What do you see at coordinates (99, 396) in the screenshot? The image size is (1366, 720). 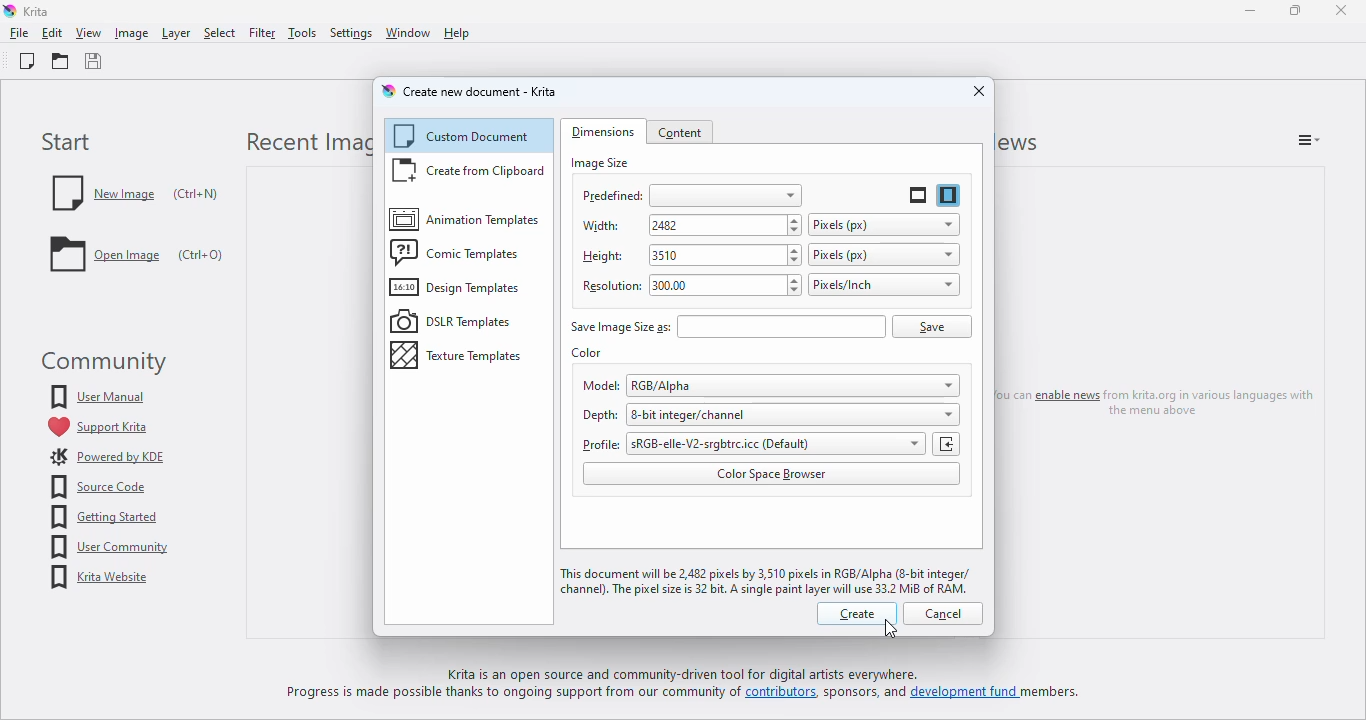 I see `user manual` at bounding box center [99, 396].